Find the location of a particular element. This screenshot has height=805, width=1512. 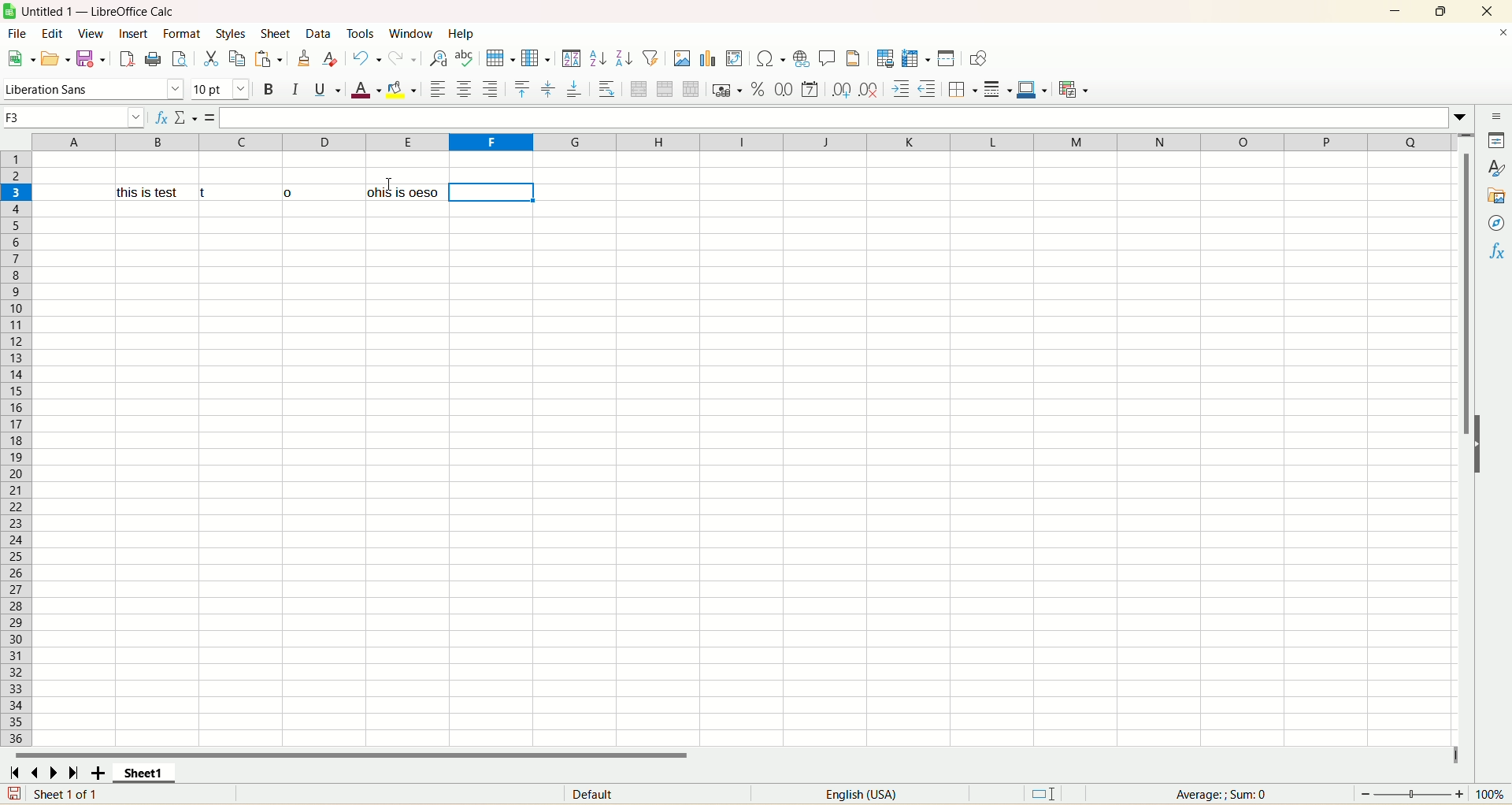

expand formulabar is located at coordinates (1462, 120).